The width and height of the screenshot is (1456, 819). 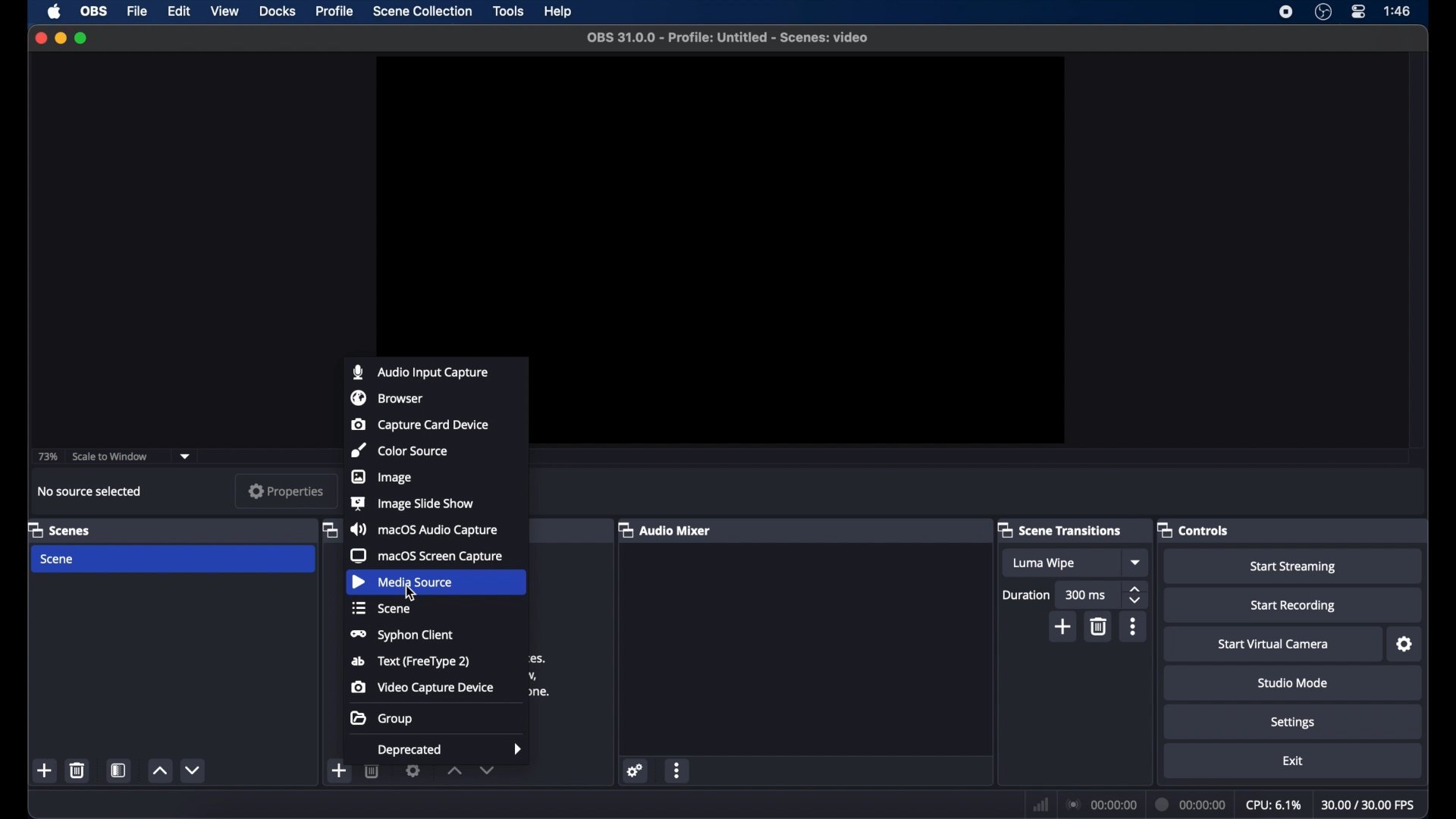 I want to click on close, so click(x=41, y=39).